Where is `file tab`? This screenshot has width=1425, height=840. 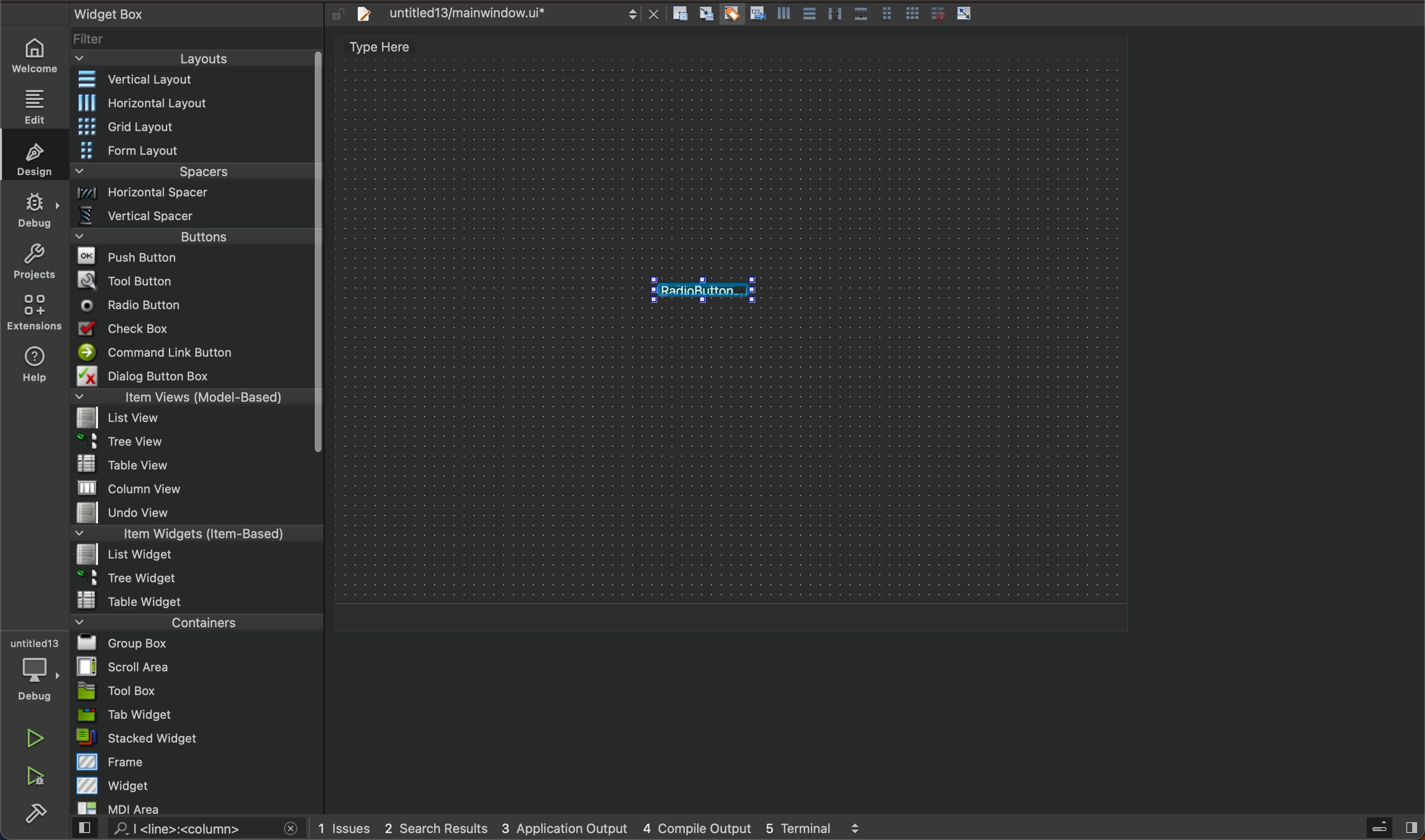 file tab is located at coordinates (504, 14).